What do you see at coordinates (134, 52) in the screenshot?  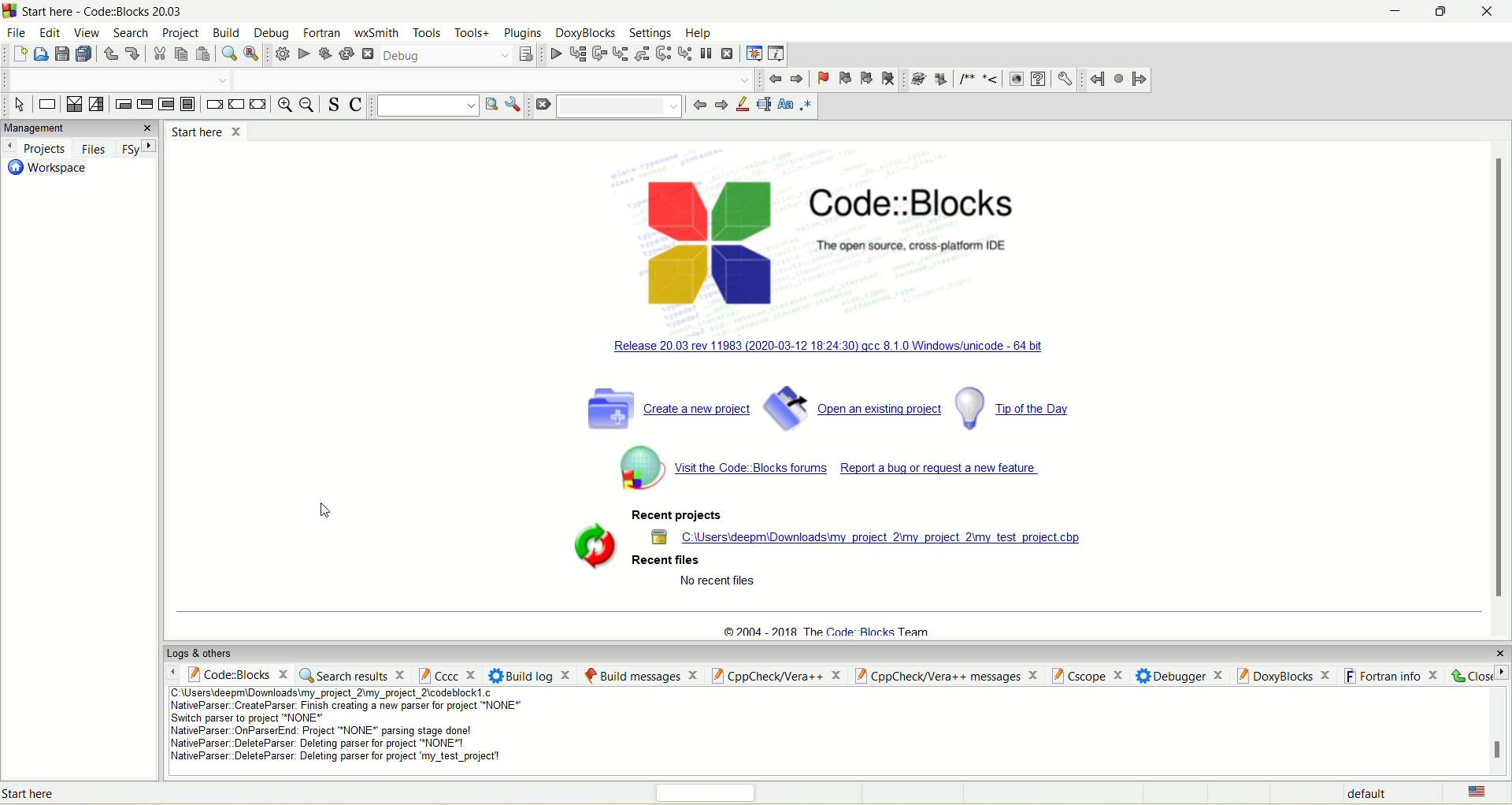 I see `redo` at bounding box center [134, 52].